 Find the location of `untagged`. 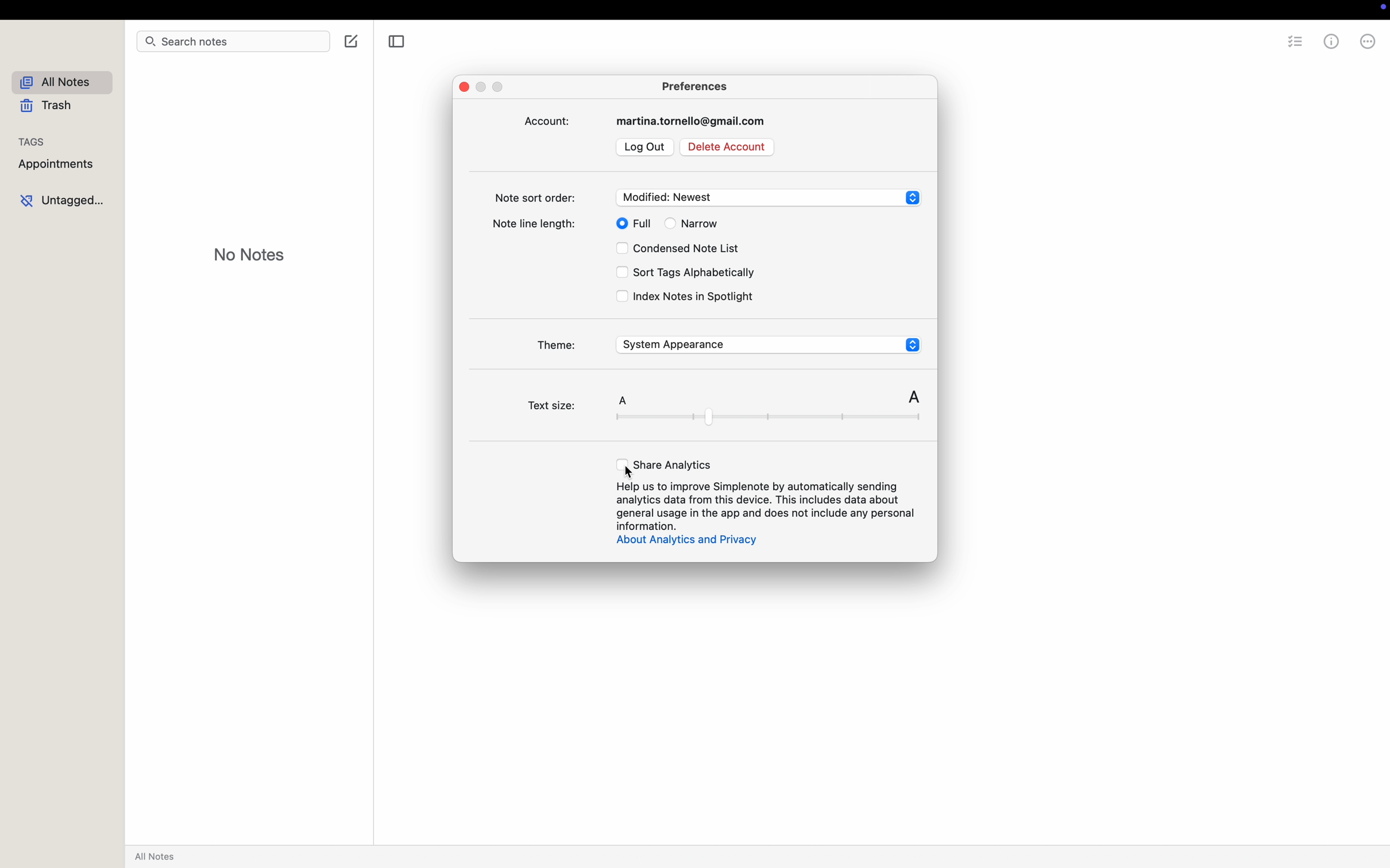

untagged is located at coordinates (64, 199).